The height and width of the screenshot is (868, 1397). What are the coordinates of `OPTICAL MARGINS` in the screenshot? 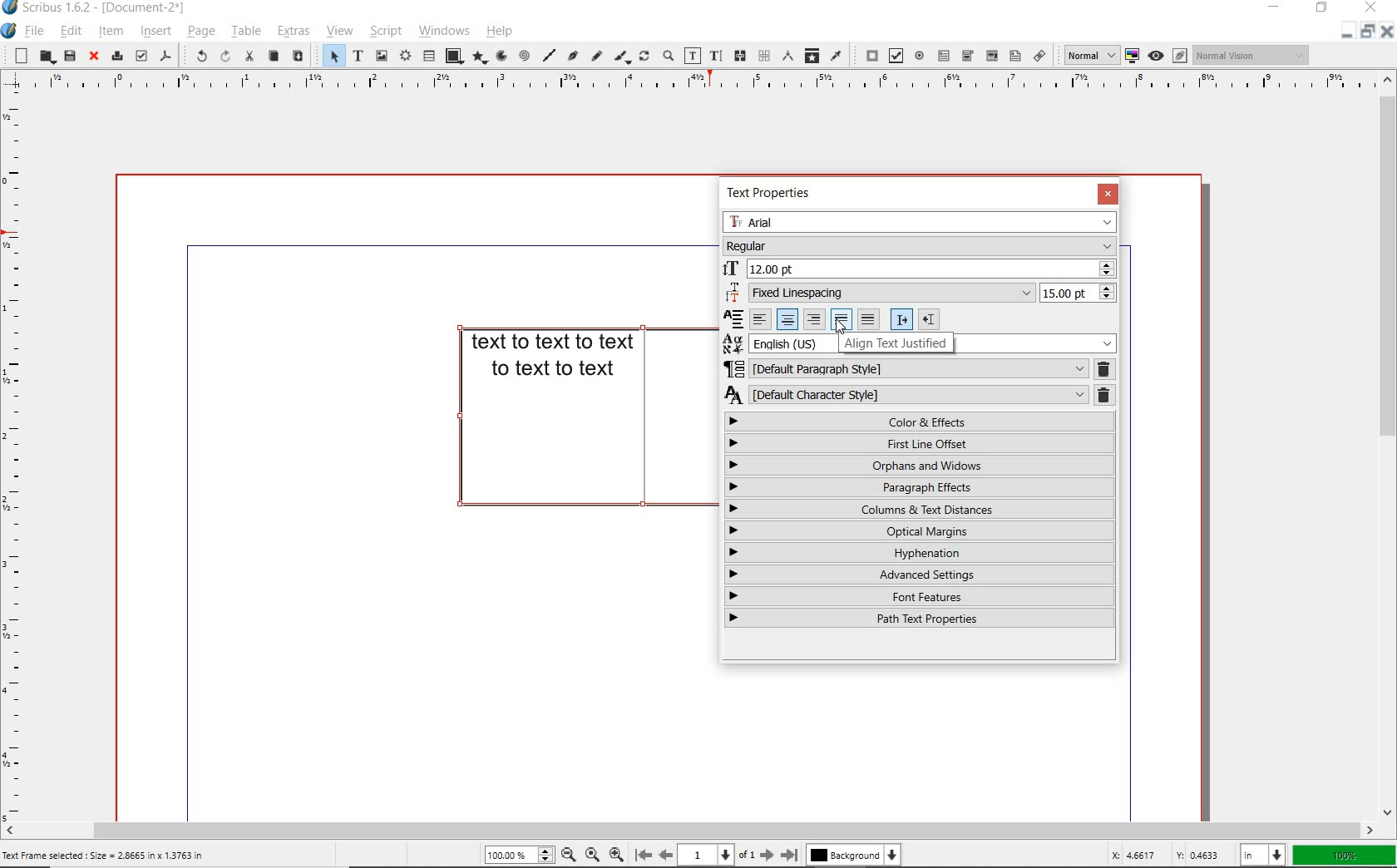 It's located at (921, 530).